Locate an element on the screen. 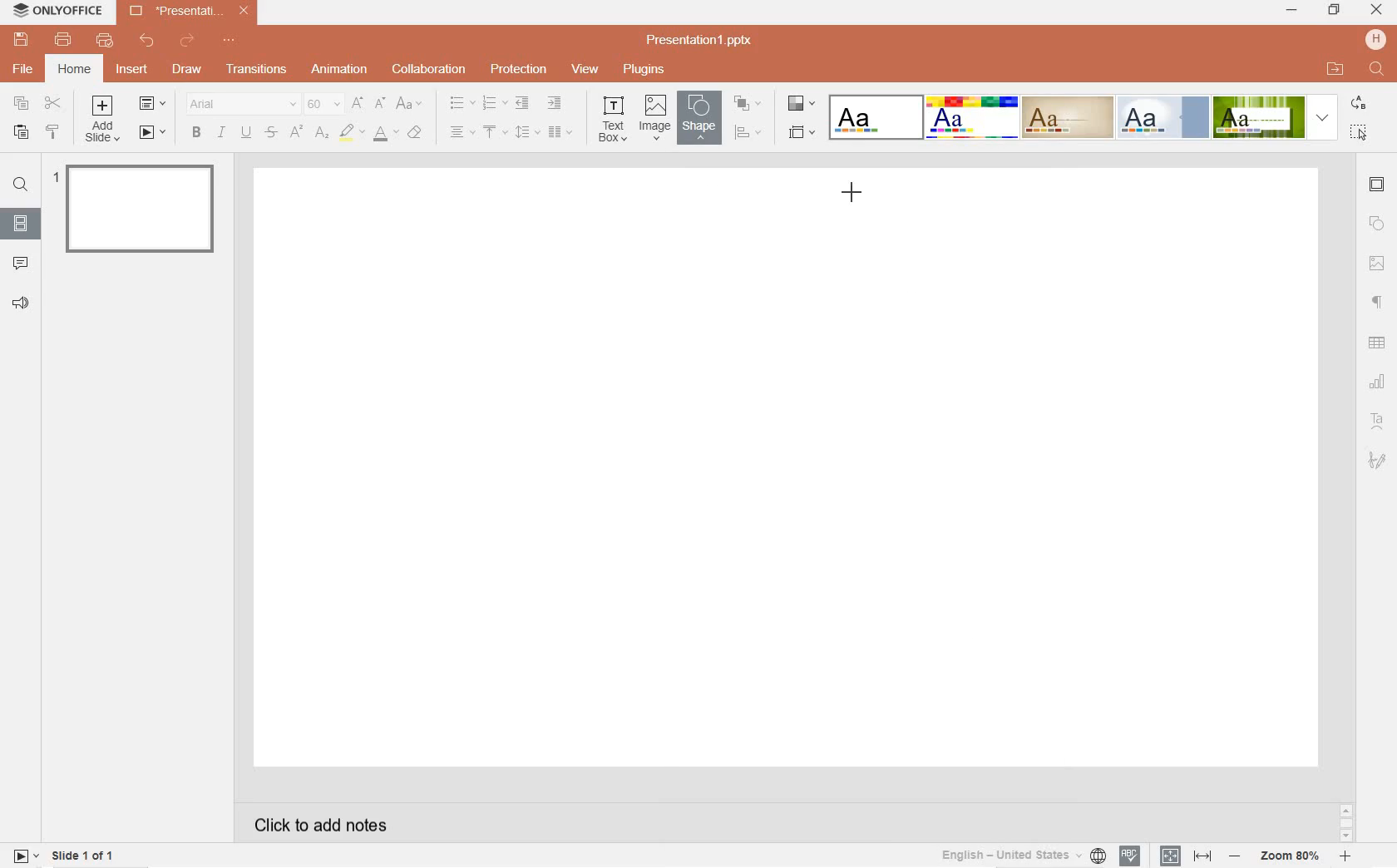 The width and height of the screenshot is (1397, 868). font size: 60 is located at coordinates (322, 106).